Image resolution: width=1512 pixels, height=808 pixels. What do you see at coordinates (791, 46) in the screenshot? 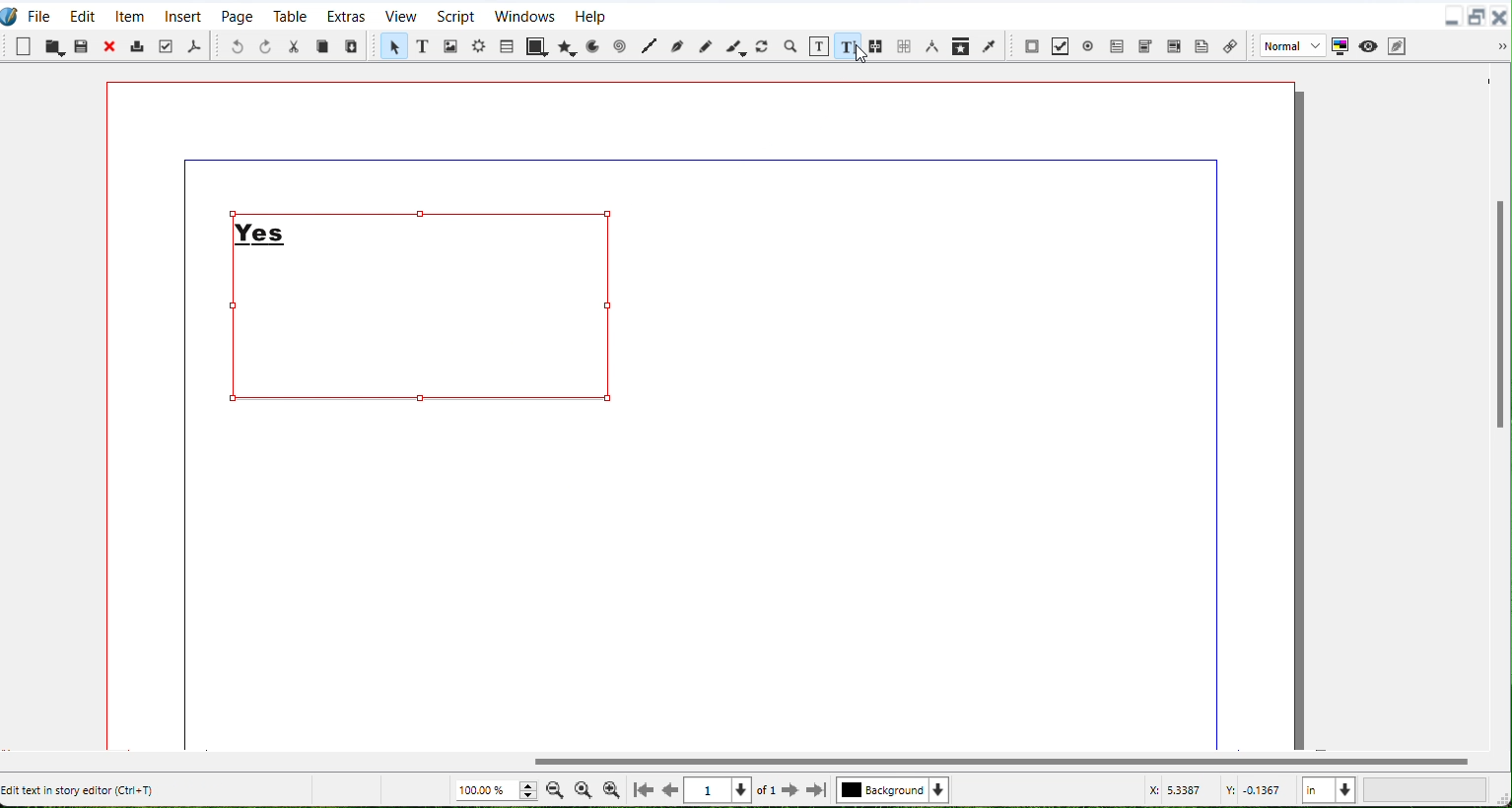
I see `Zoom in or out` at bounding box center [791, 46].